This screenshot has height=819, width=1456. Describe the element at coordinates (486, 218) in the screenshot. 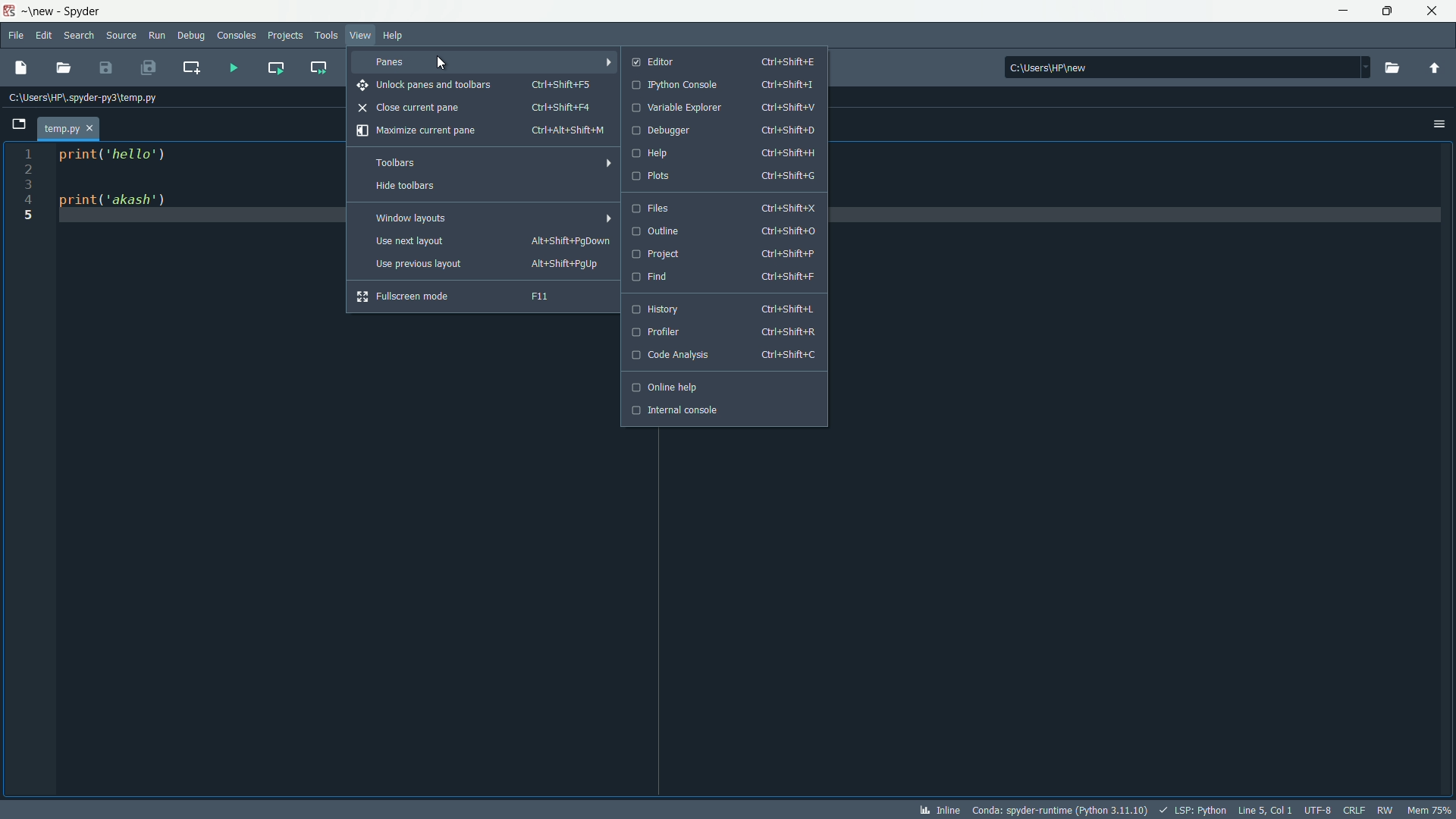

I see `window layouts` at that location.